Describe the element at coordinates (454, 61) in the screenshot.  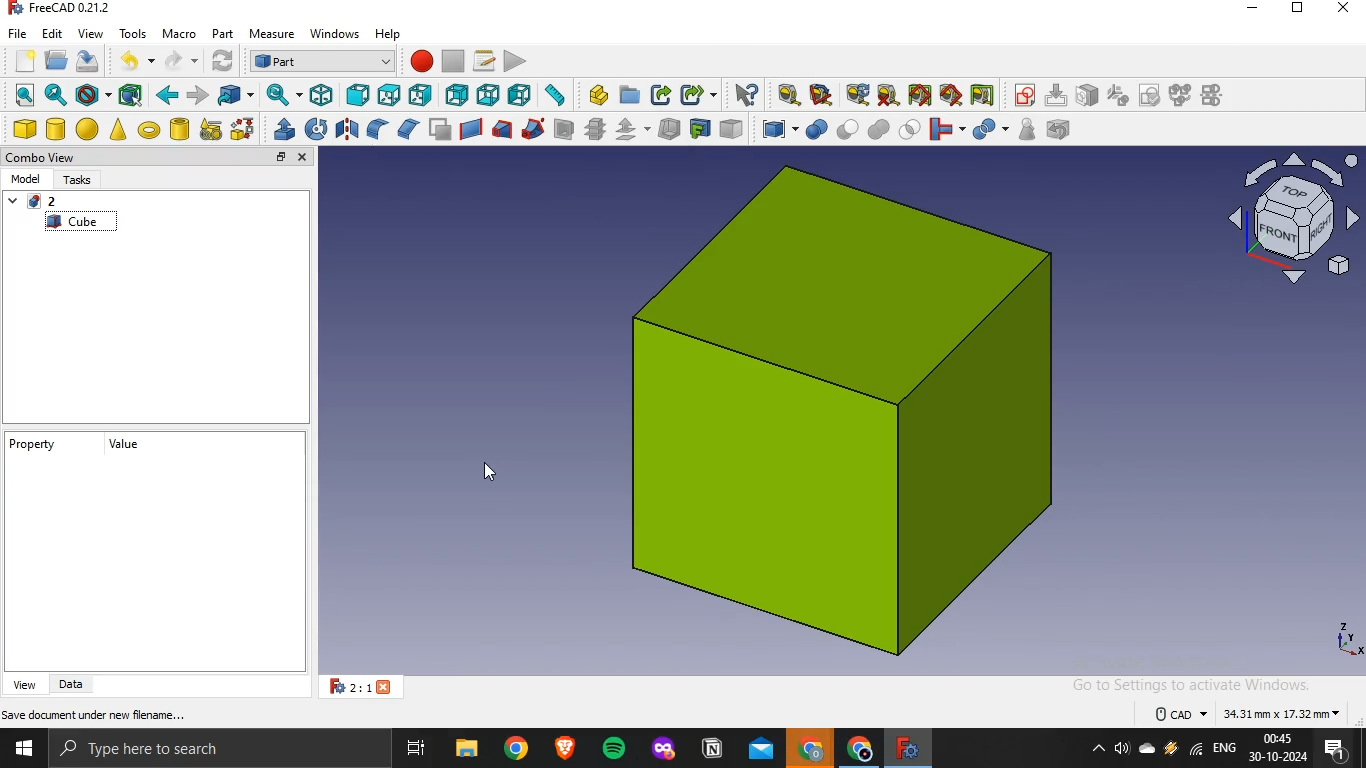
I see `stop recording` at that location.